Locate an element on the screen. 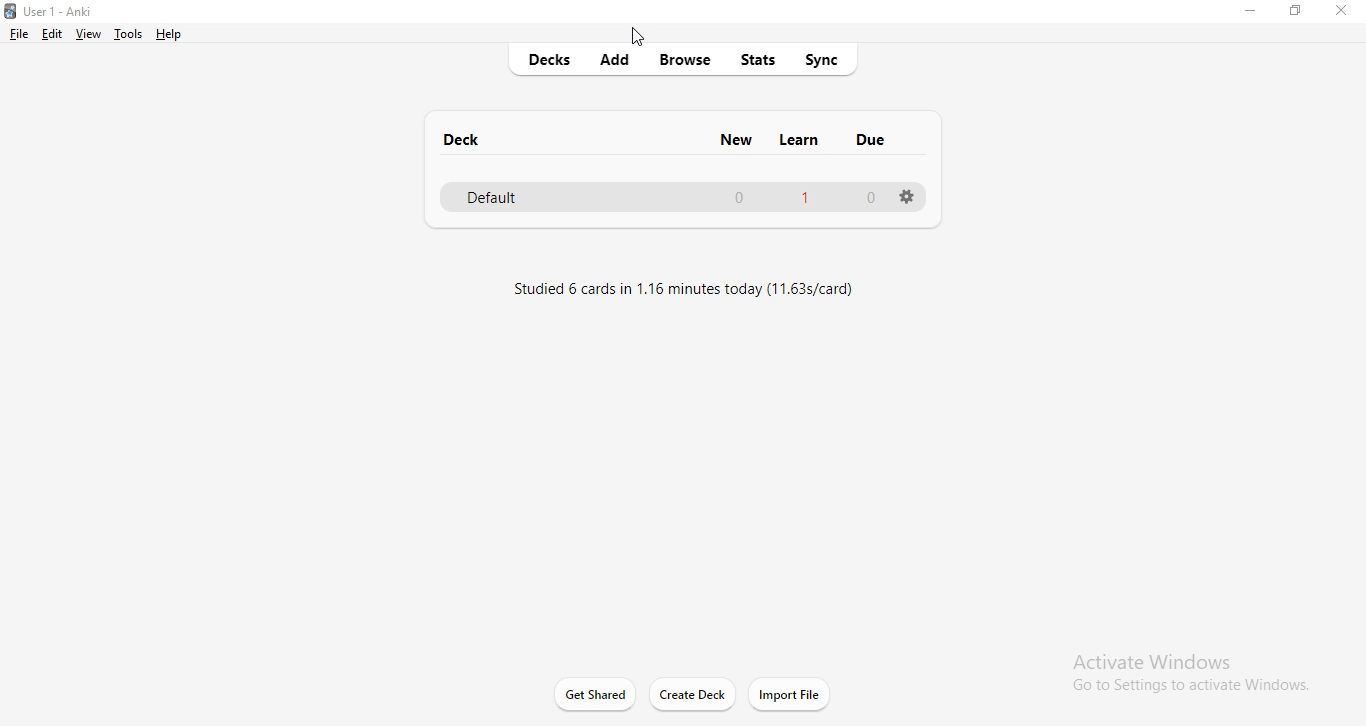  close is located at coordinates (1340, 10).